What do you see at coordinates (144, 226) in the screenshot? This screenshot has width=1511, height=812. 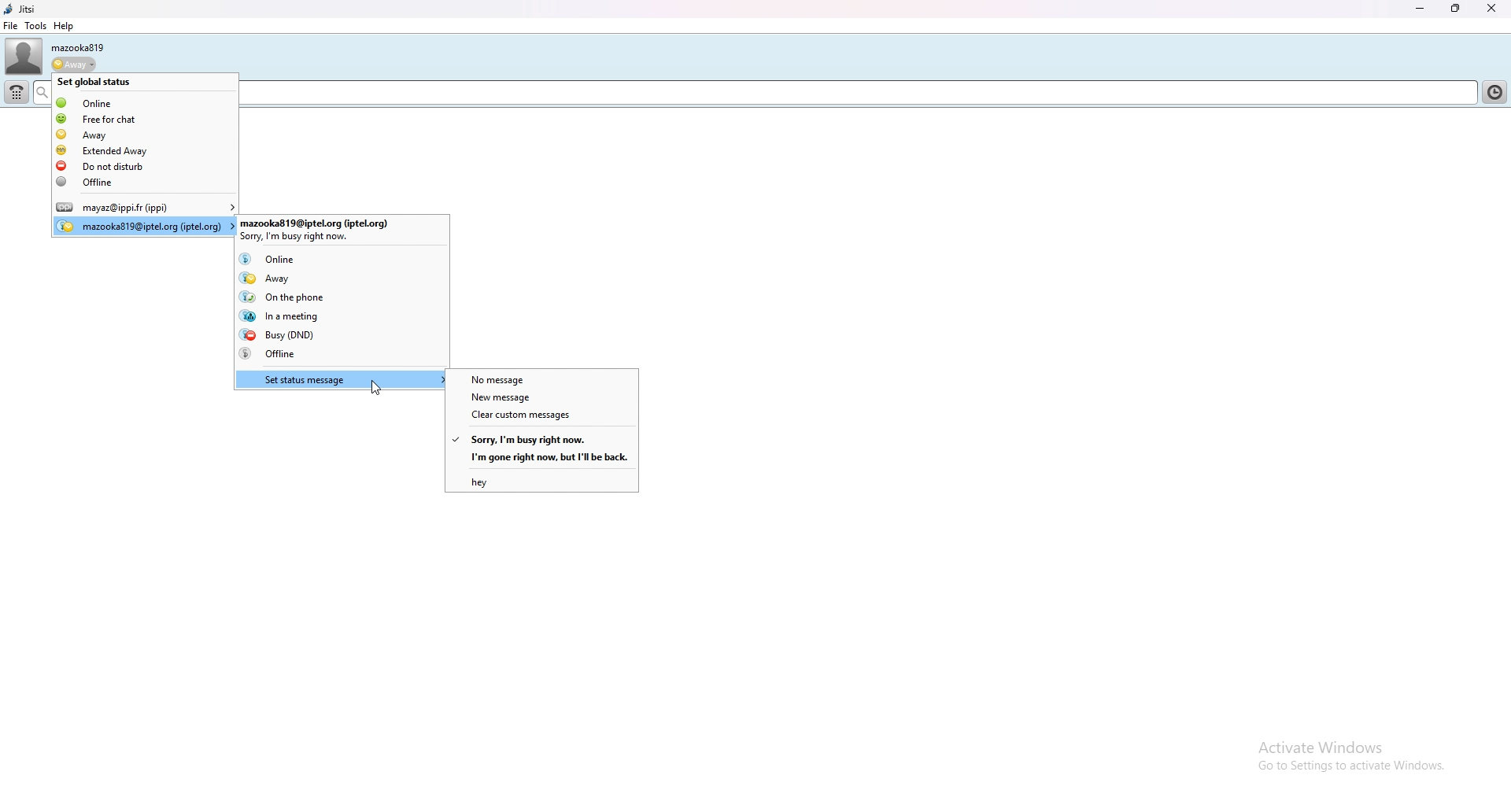 I see `user account` at bounding box center [144, 226].